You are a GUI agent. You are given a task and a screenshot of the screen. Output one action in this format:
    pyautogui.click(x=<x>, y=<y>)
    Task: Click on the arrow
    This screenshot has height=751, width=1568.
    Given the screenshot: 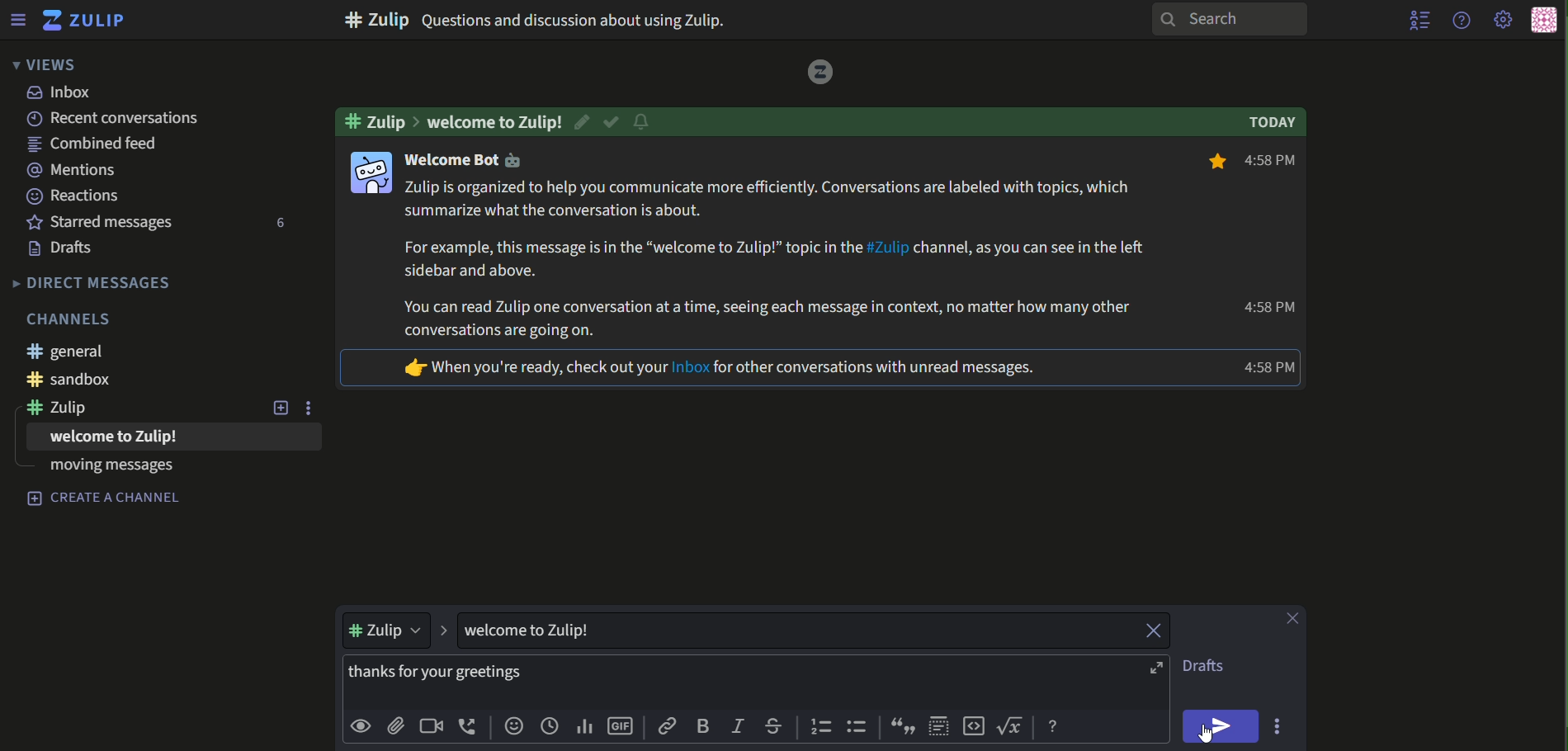 What is the action you would take?
    pyautogui.click(x=443, y=631)
    